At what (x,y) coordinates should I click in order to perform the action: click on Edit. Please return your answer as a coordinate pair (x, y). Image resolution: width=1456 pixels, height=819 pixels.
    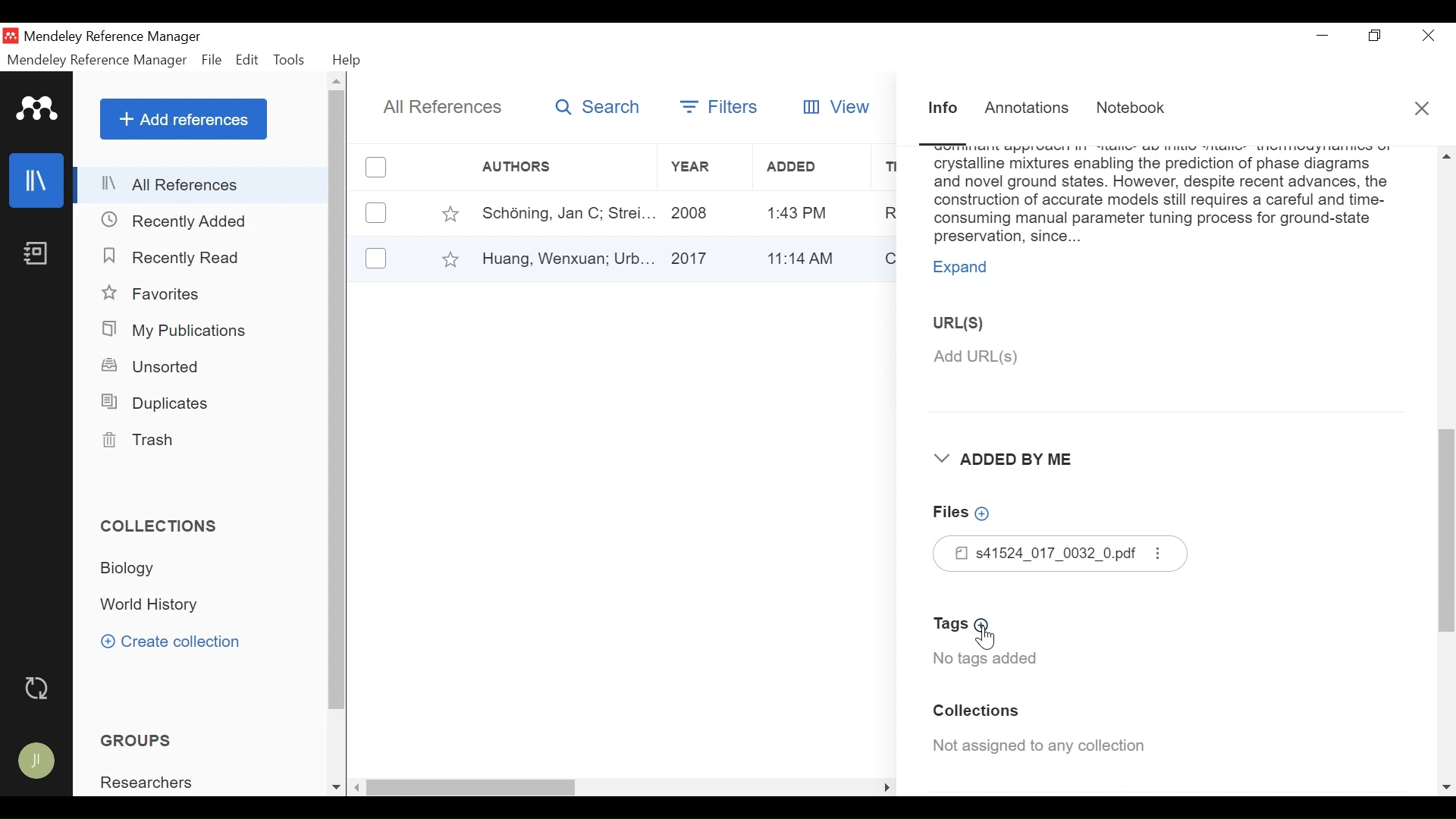
    Looking at the image, I should click on (247, 60).